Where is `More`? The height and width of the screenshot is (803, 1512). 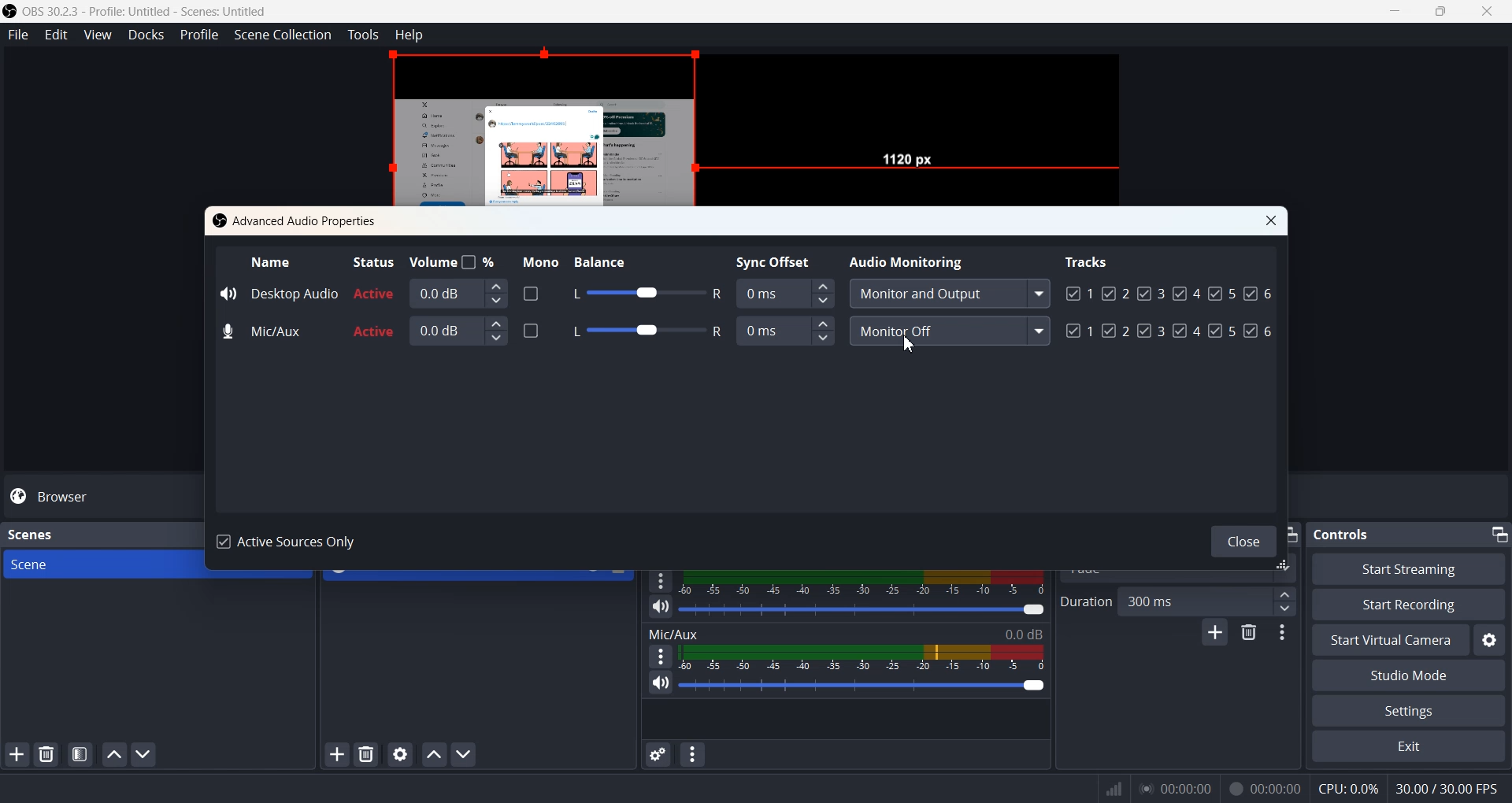
More is located at coordinates (658, 656).